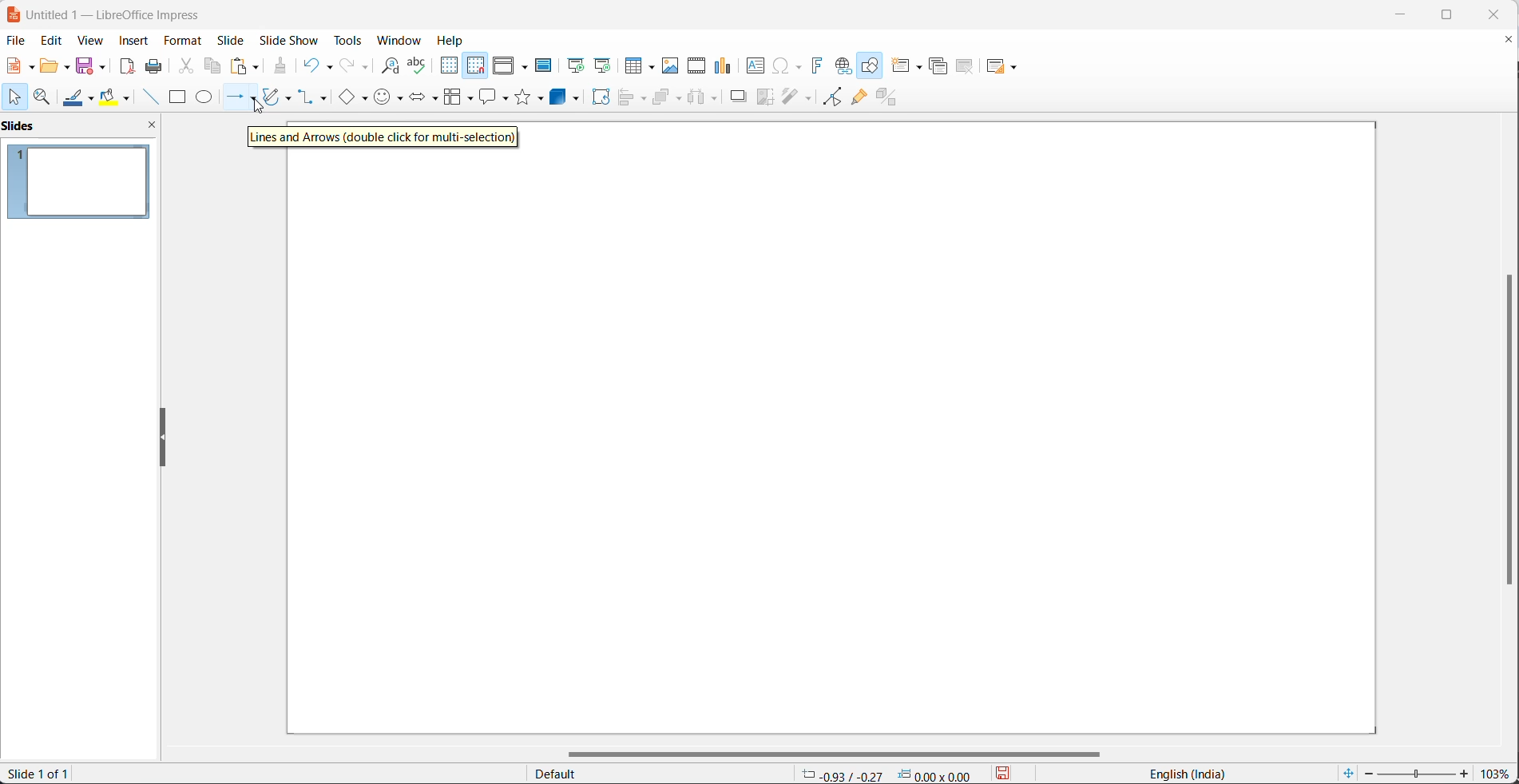  What do you see at coordinates (19, 66) in the screenshot?
I see `file options` at bounding box center [19, 66].